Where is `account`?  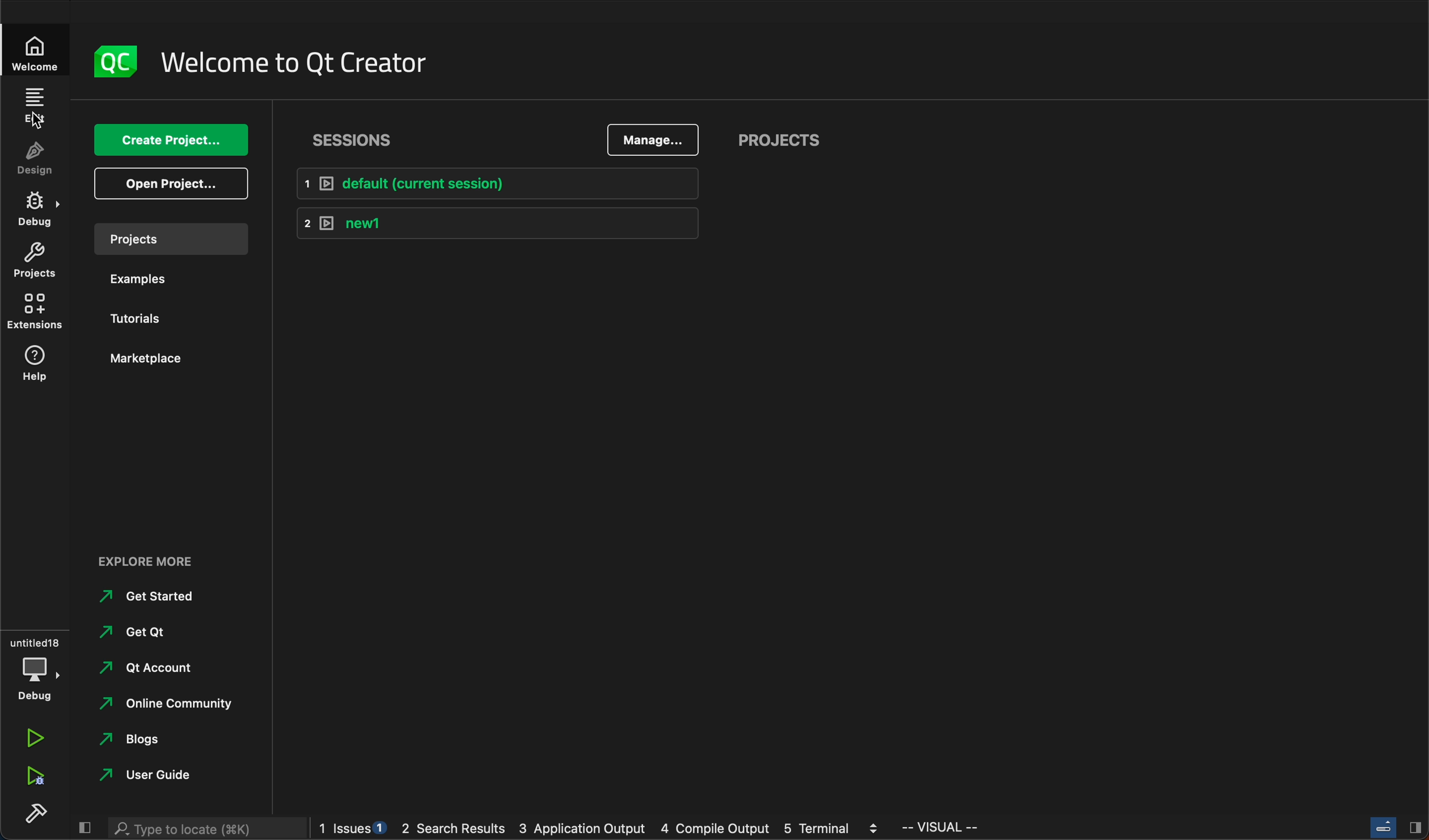 account is located at coordinates (155, 667).